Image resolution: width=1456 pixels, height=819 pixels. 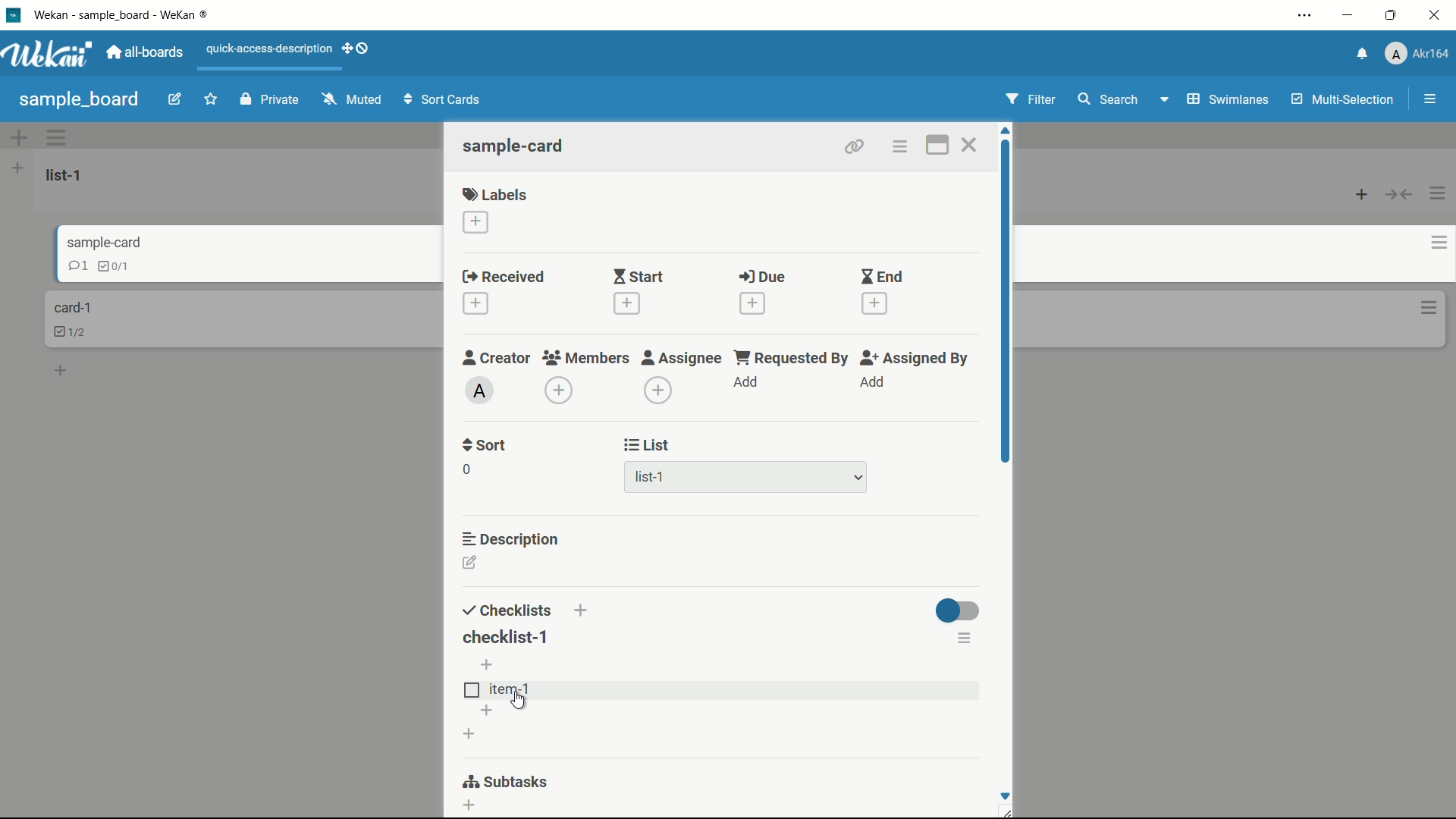 I want to click on admin, so click(x=480, y=390).